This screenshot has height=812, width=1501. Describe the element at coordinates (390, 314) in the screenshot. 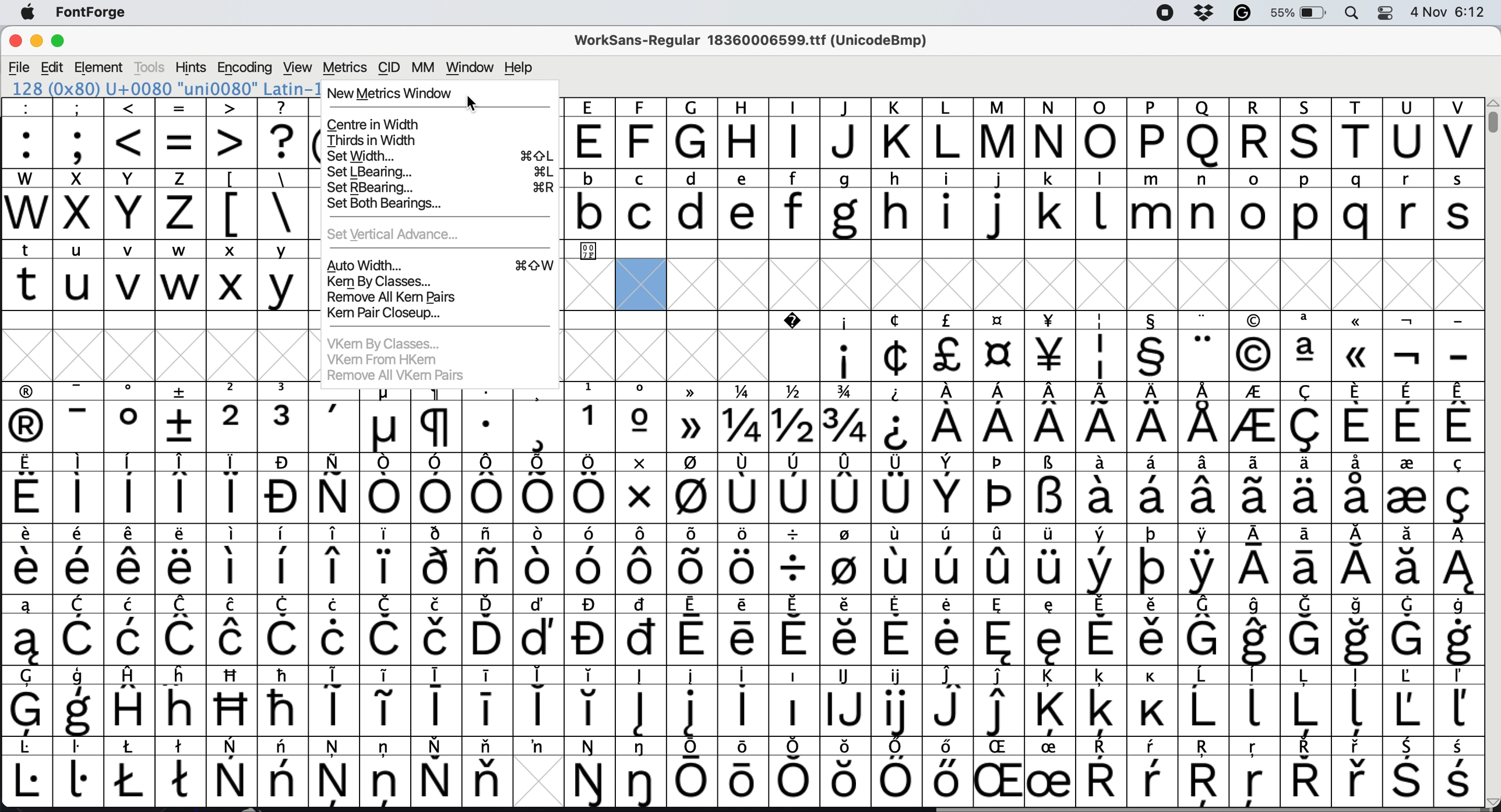

I see `kern pair closeup` at that location.